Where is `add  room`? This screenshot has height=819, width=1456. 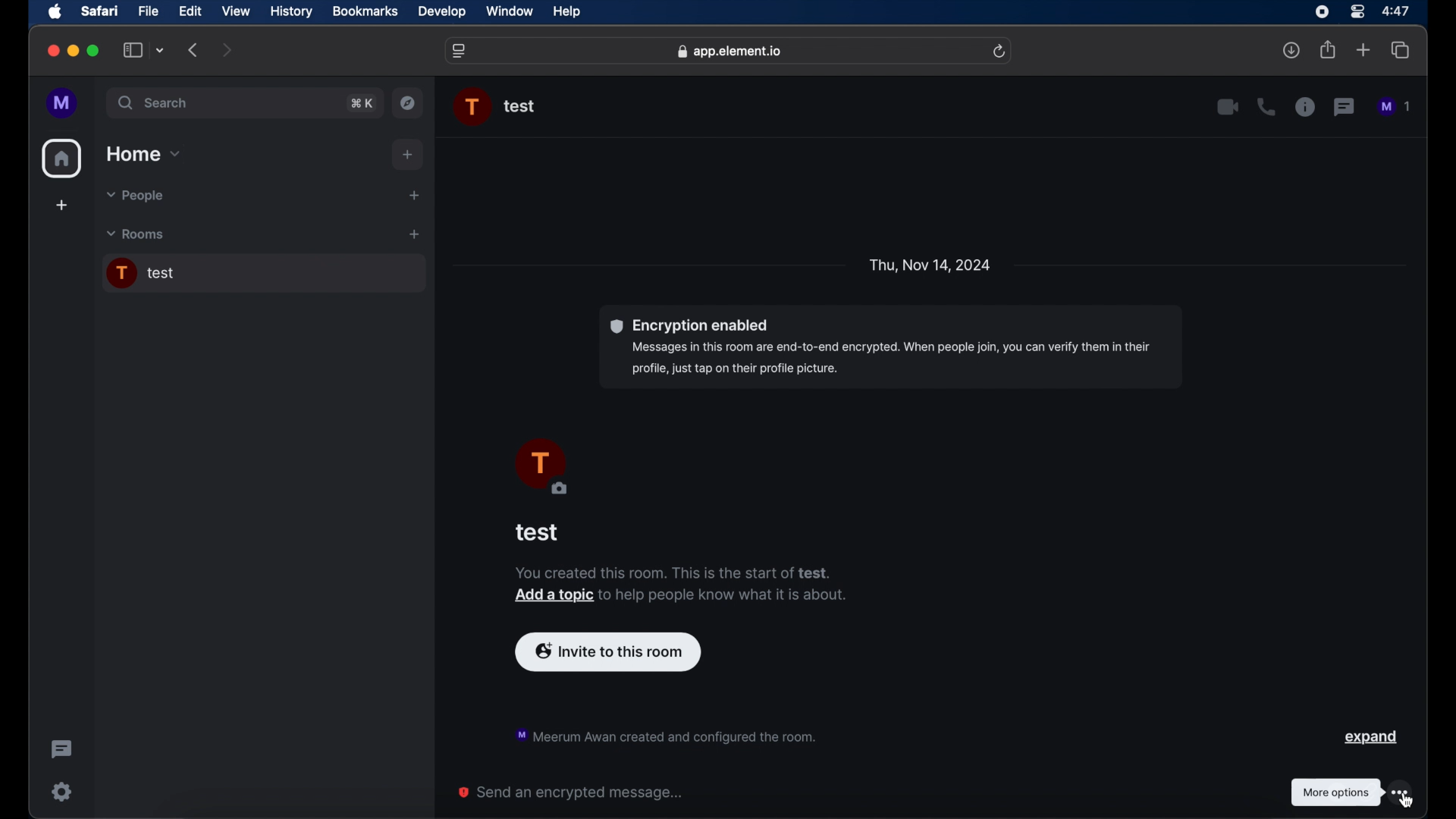
add  room is located at coordinates (414, 234).